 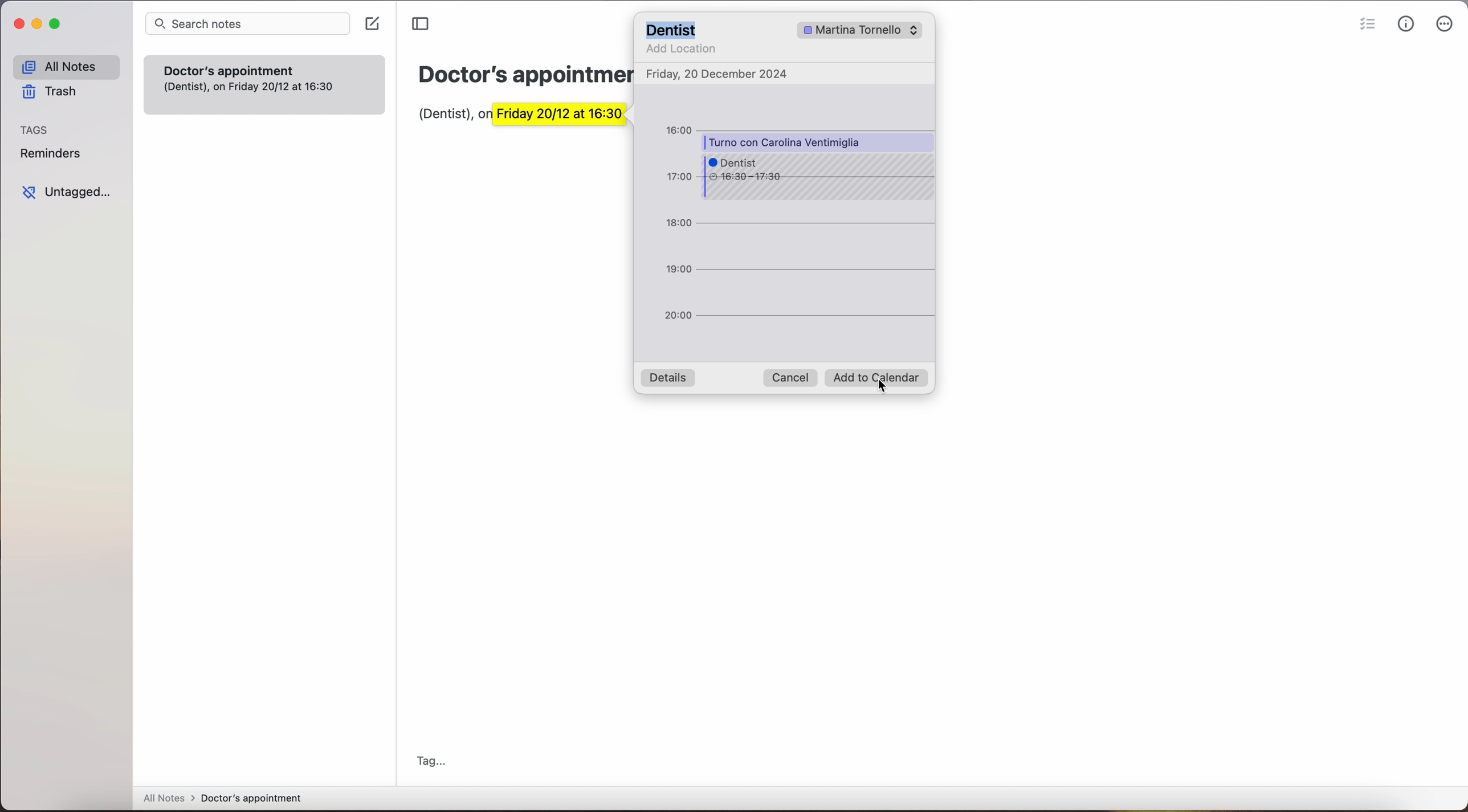 I want to click on Checkbox, so click(x=803, y=30).